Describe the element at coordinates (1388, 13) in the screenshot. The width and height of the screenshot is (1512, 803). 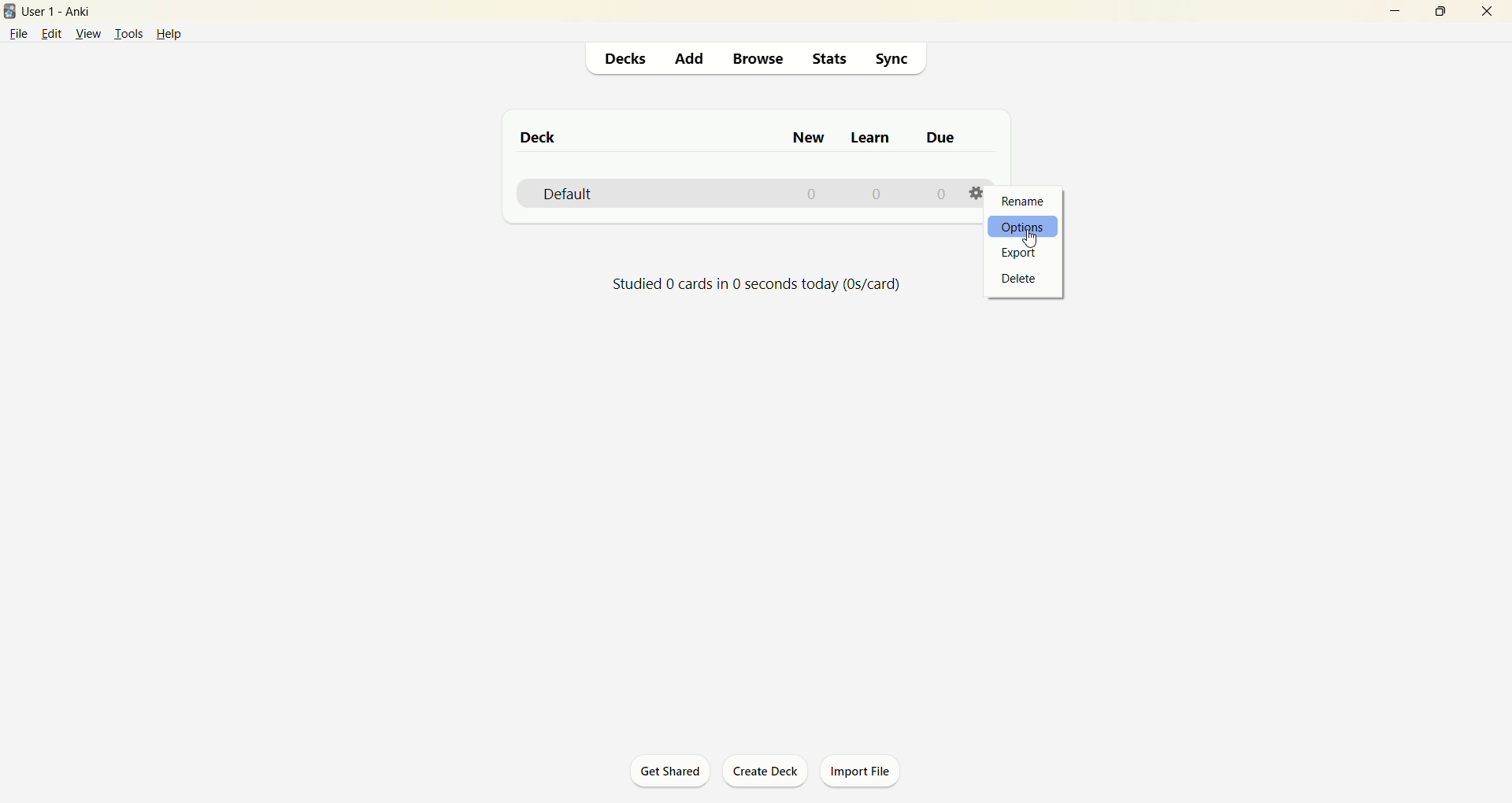
I see `minimize` at that location.